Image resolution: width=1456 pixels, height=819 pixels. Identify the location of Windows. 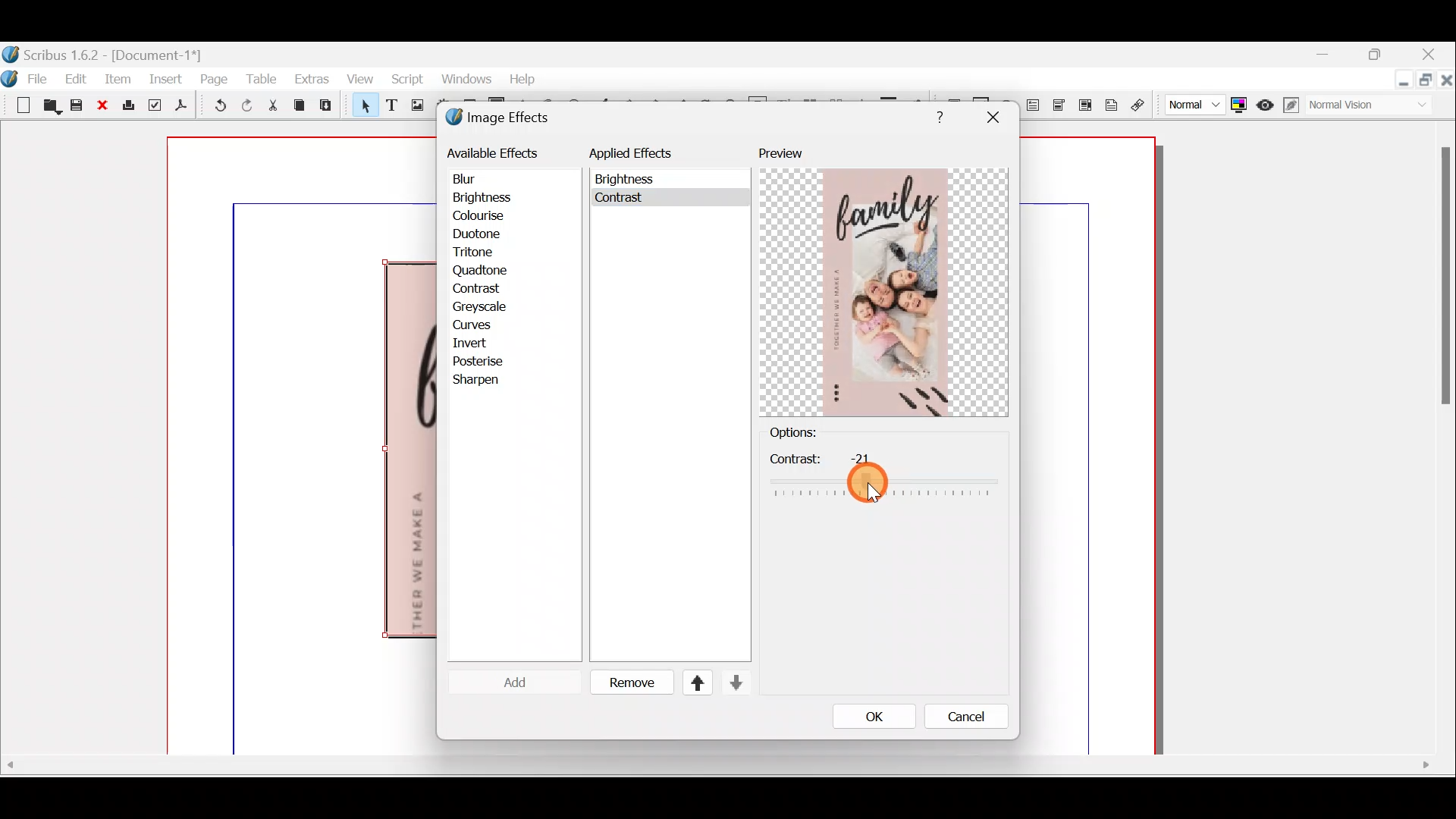
(465, 82).